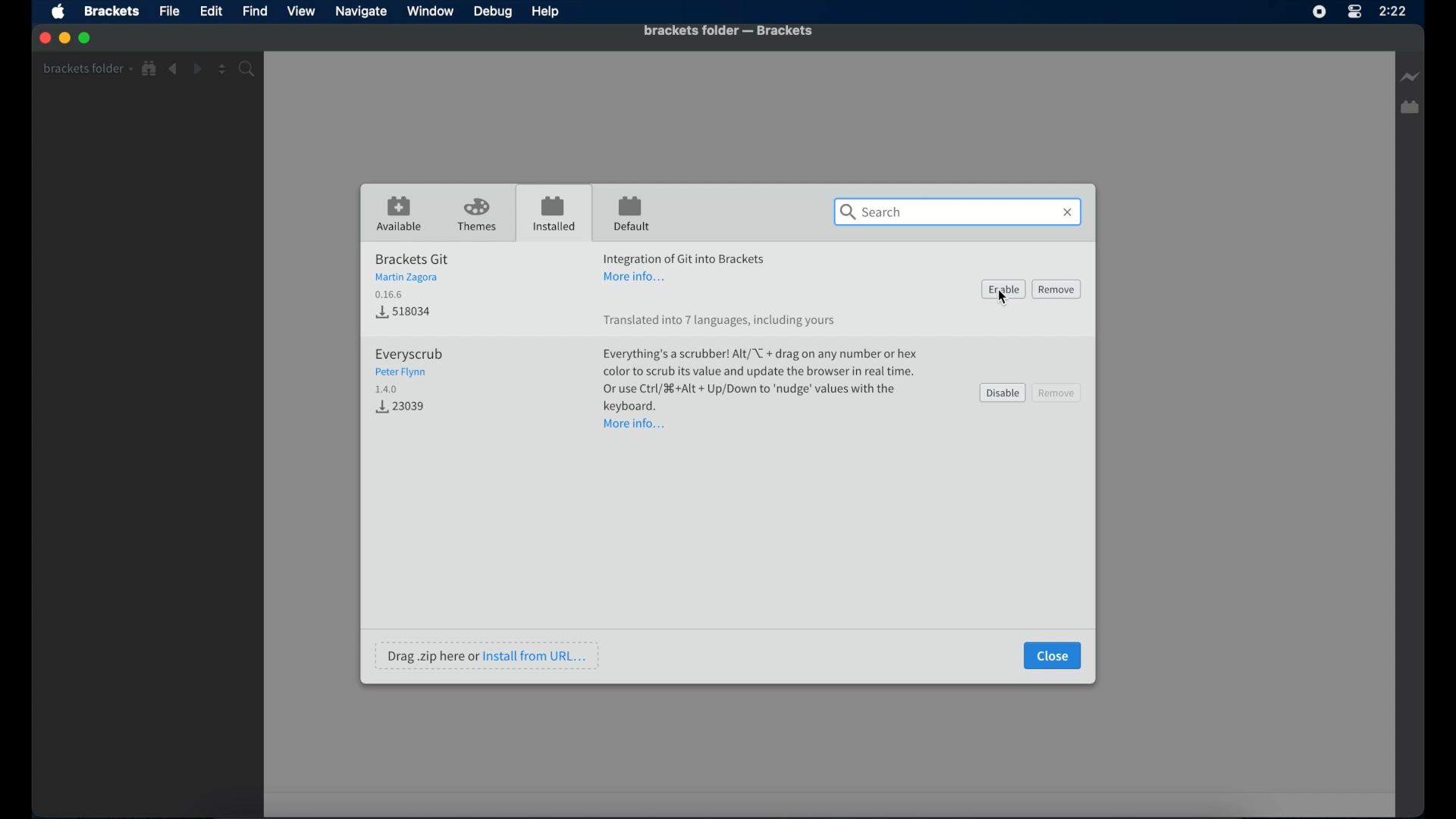 The width and height of the screenshot is (1456, 819). What do you see at coordinates (1411, 108) in the screenshot?
I see `extension manager` at bounding box center [1411, 108].